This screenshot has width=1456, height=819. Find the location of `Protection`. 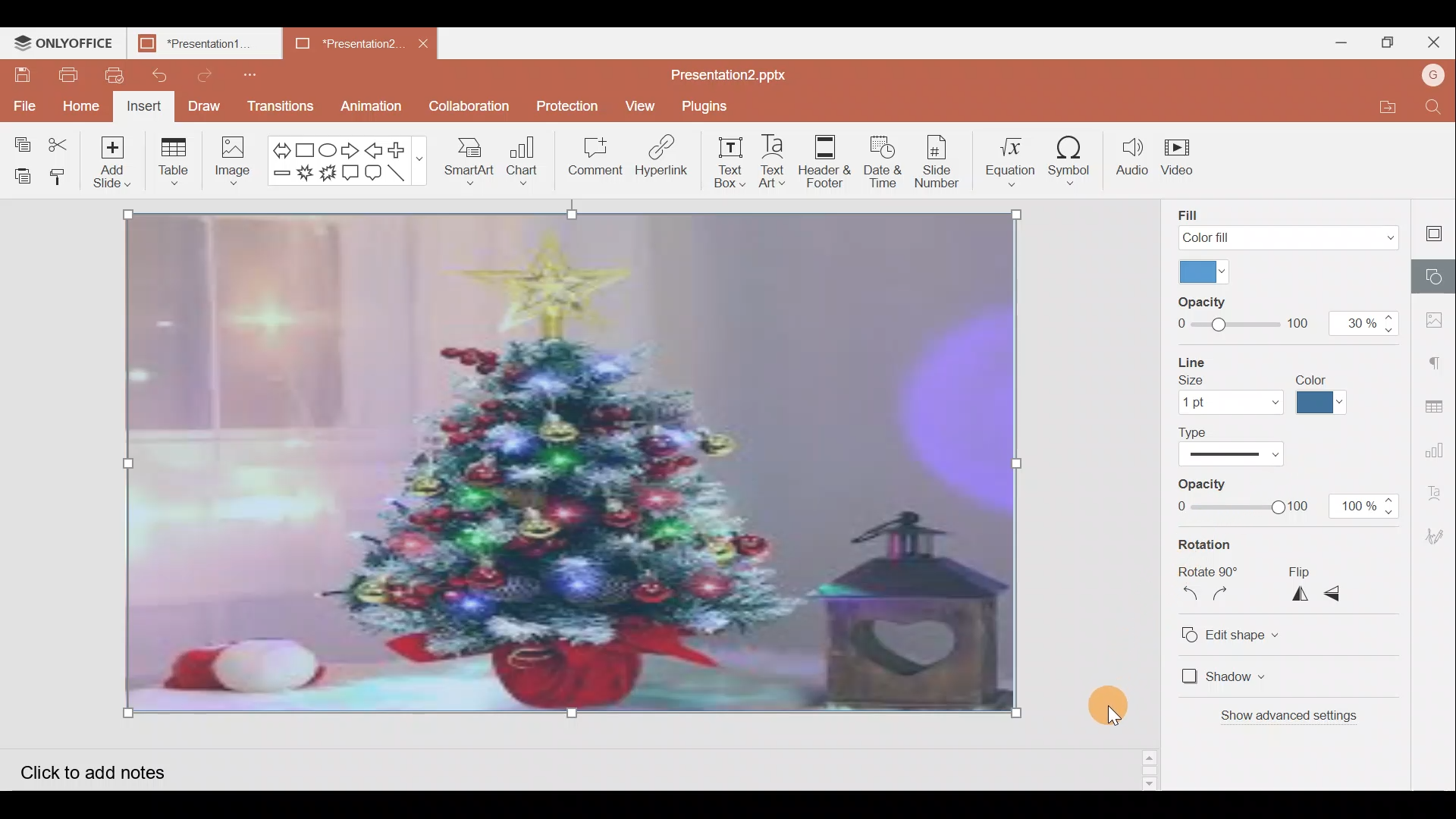

Protection is located at coordinates (563, 105).